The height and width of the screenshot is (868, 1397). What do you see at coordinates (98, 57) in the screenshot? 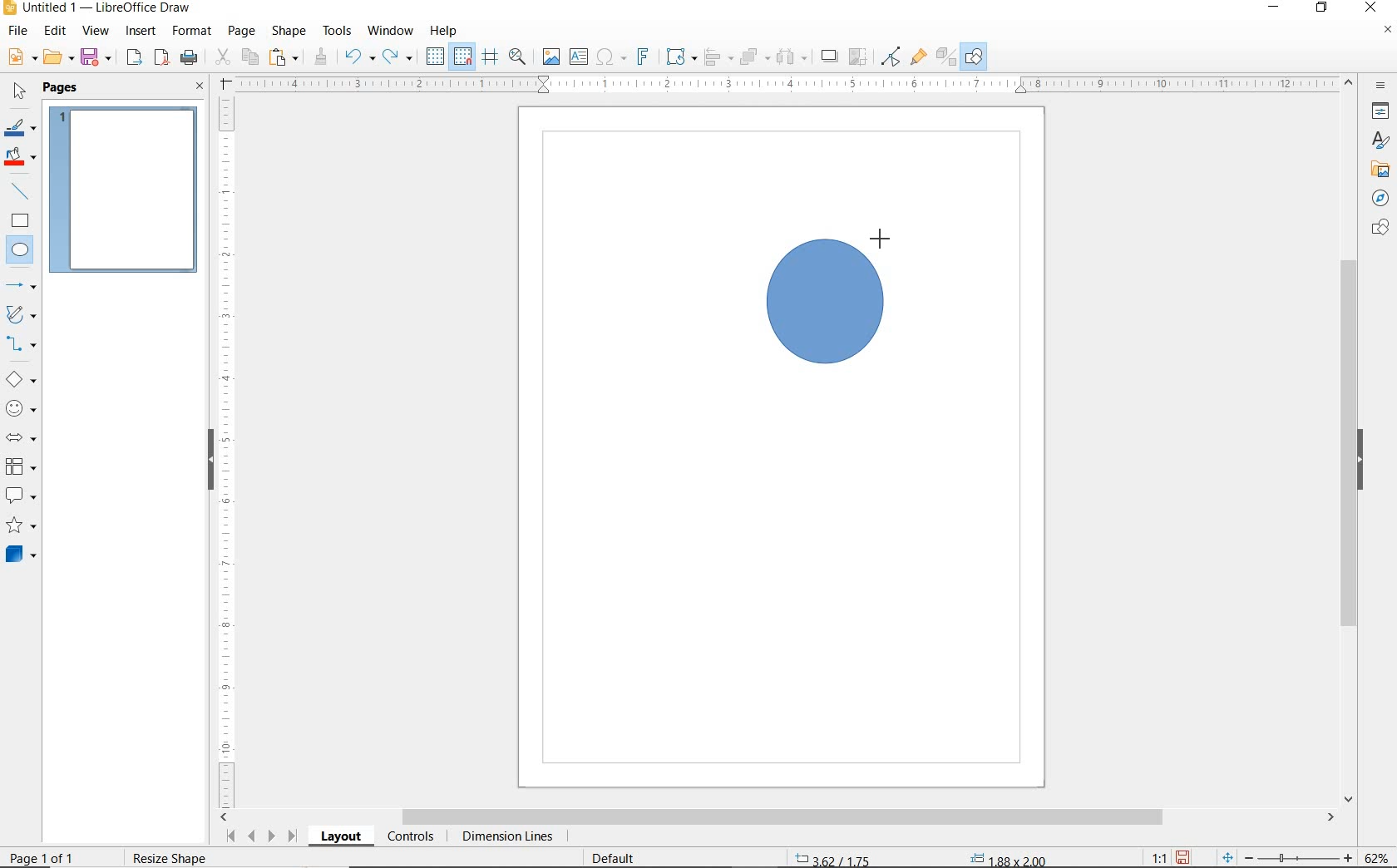
I see `SAVE` at bounding box center [98, 57].